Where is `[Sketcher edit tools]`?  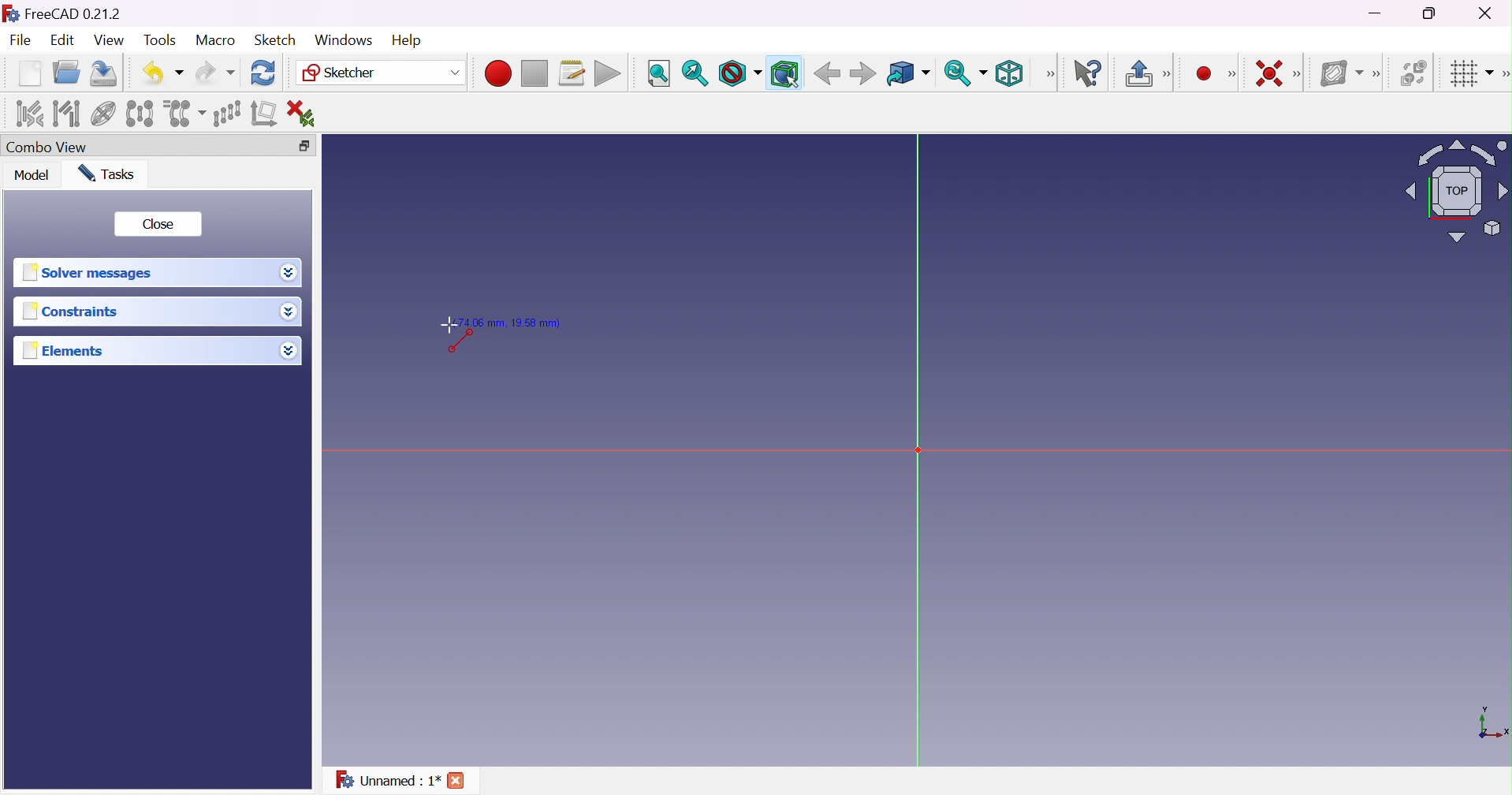
[Sketcher edit tools] is located at coordinates (1503, 77).